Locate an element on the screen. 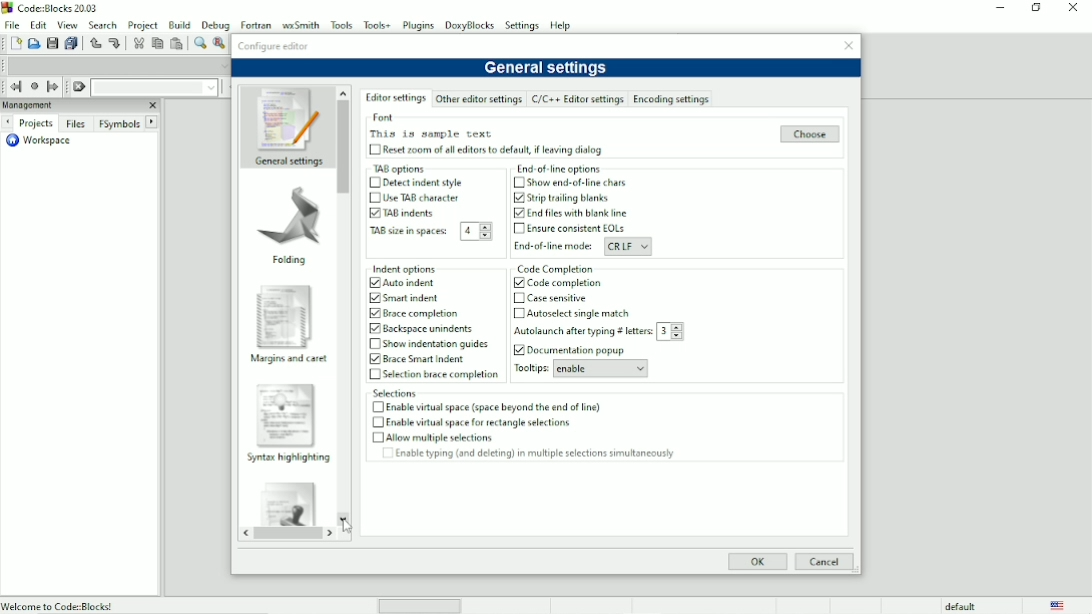 This screenshot has height=614, width=1092. Margins and caret is located at coordinates (283, 360).